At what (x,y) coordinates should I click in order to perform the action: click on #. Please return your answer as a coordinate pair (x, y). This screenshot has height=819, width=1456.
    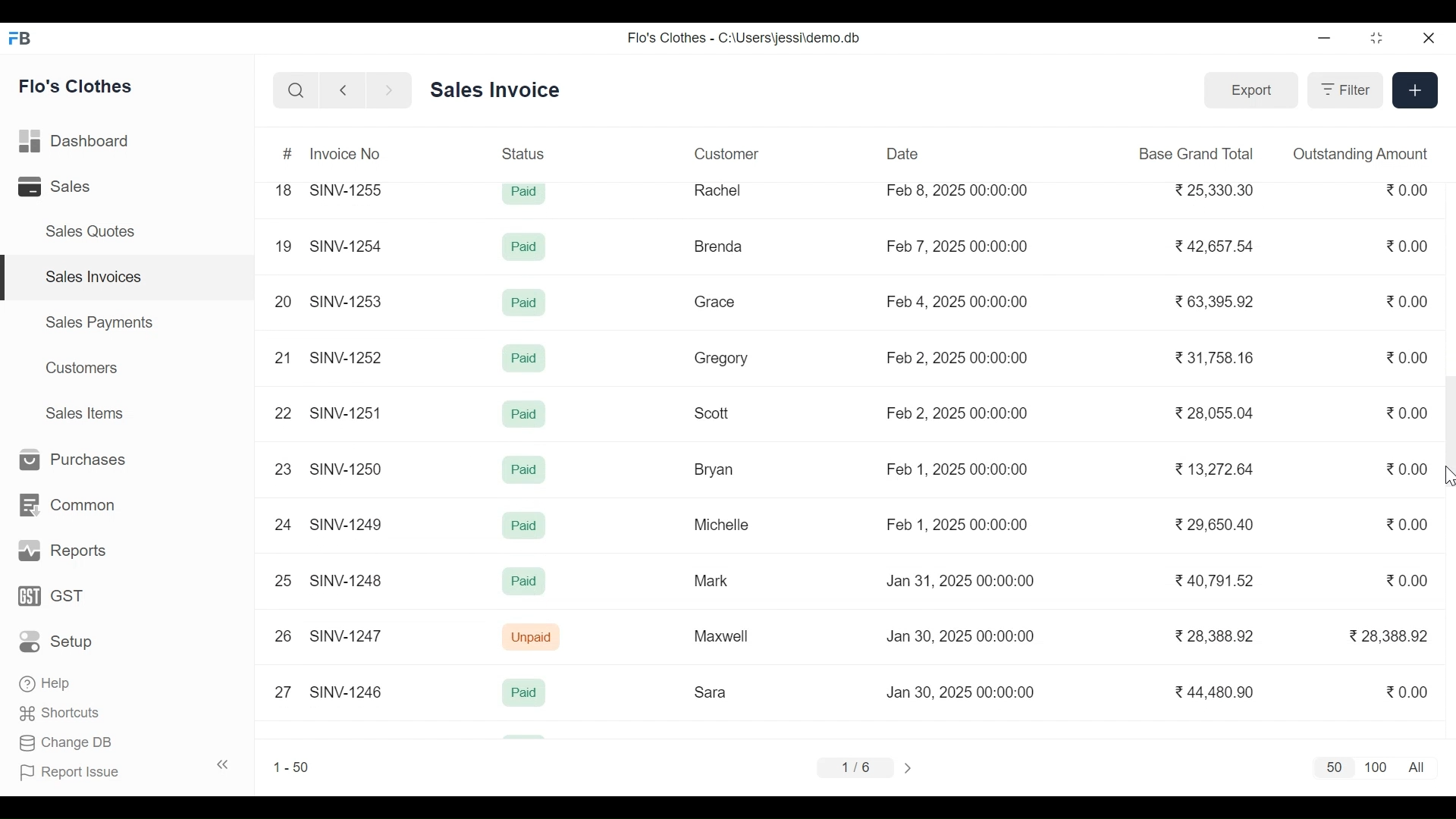
    Looking at the image, I should click on (289, 155).